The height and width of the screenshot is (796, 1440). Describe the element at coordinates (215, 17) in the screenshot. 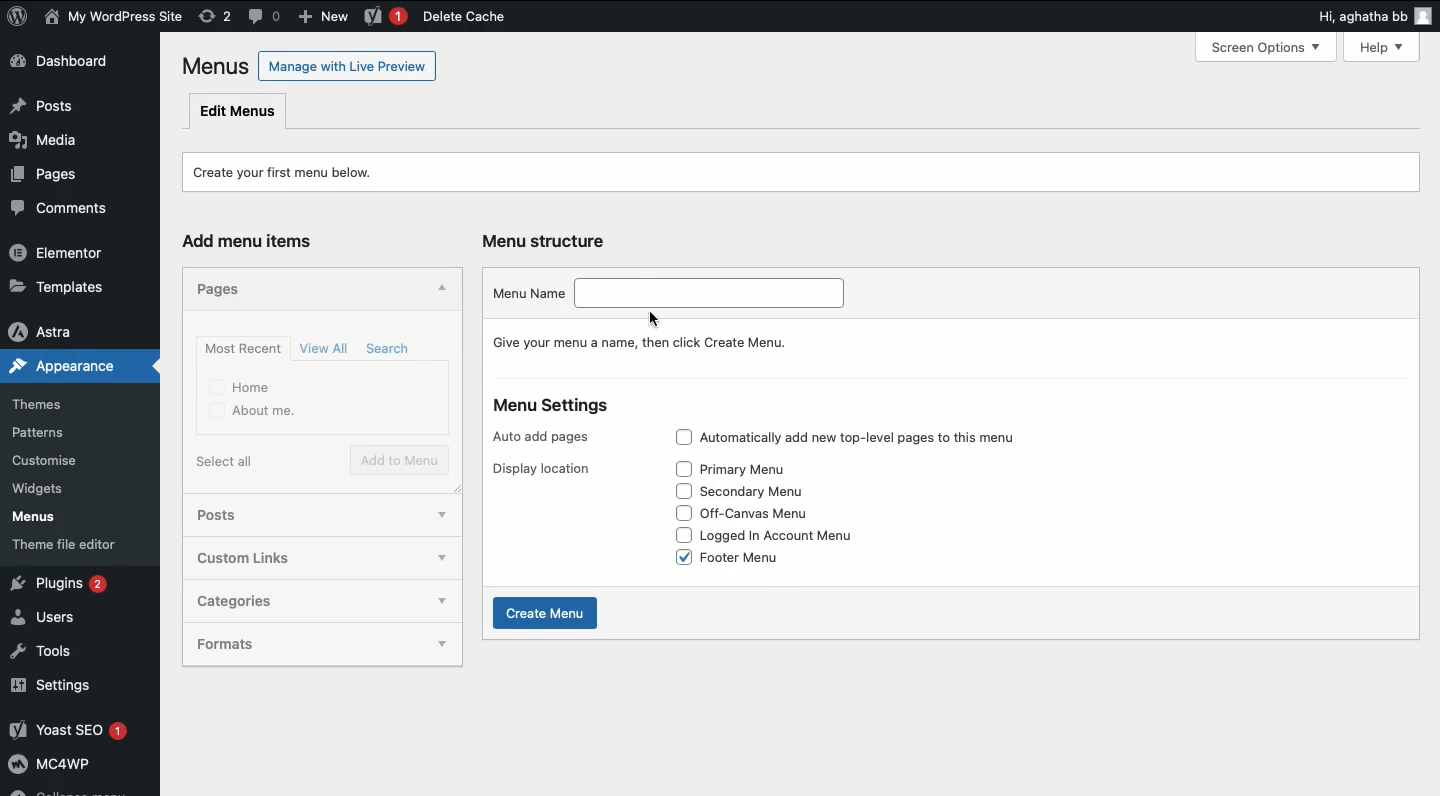

I see `Revision` at that location.